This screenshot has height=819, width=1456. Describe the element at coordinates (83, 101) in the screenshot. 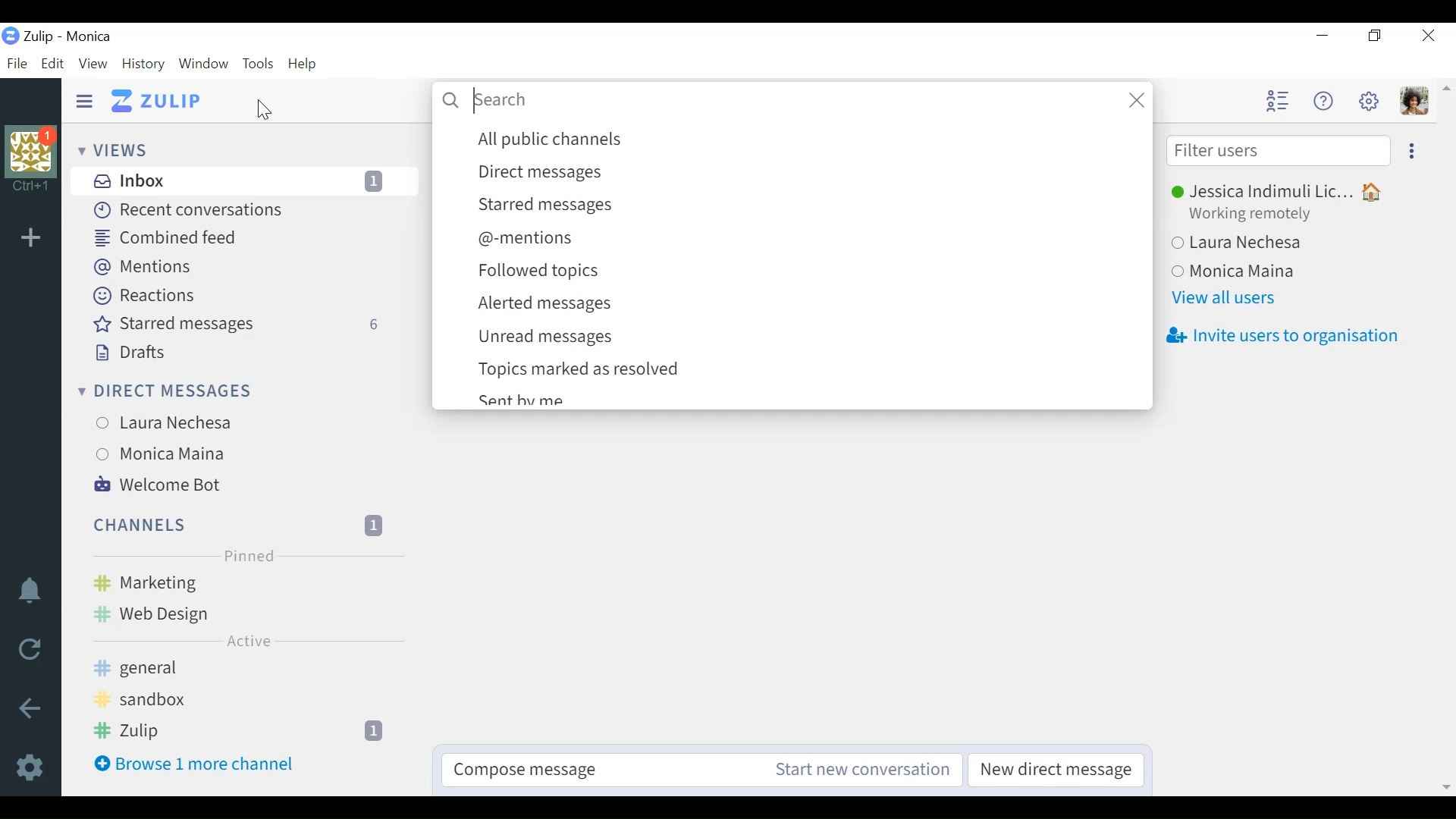

I see `Hide Sidebar` at that location.